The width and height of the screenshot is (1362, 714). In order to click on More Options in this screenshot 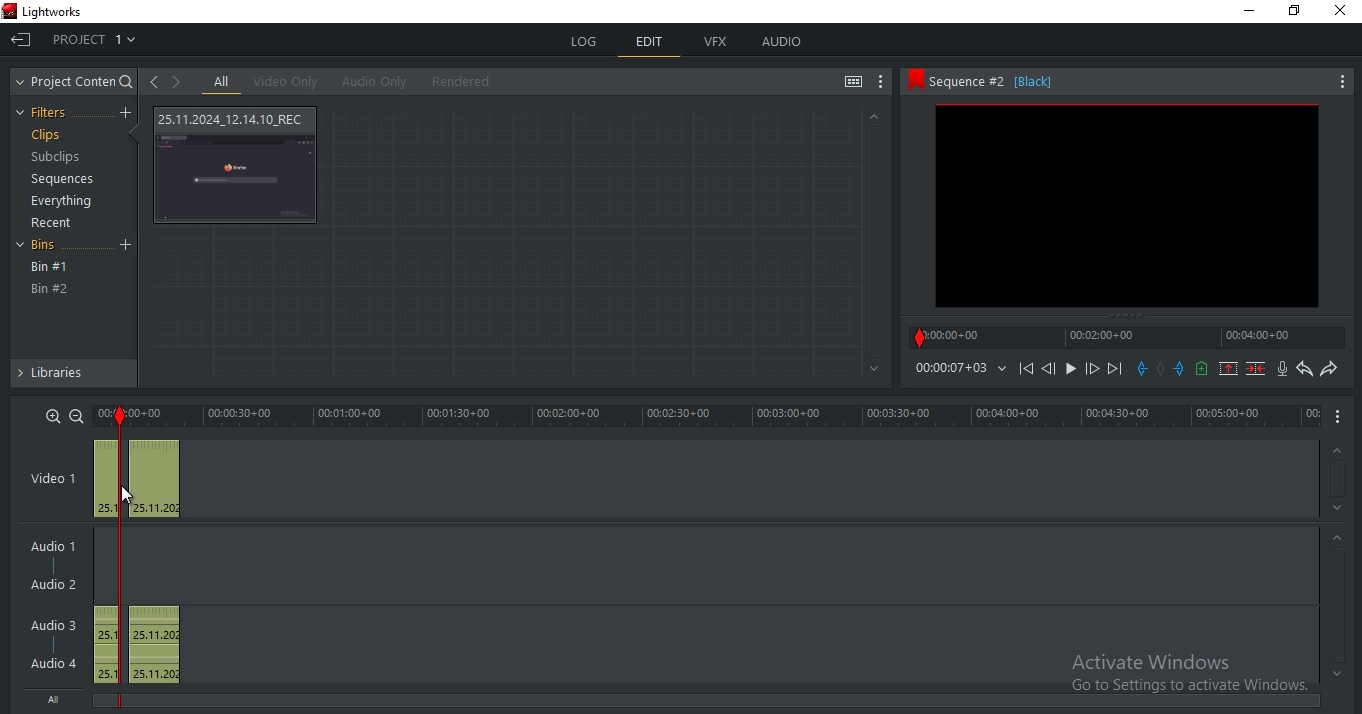, I will do `click(1342, 417)`.